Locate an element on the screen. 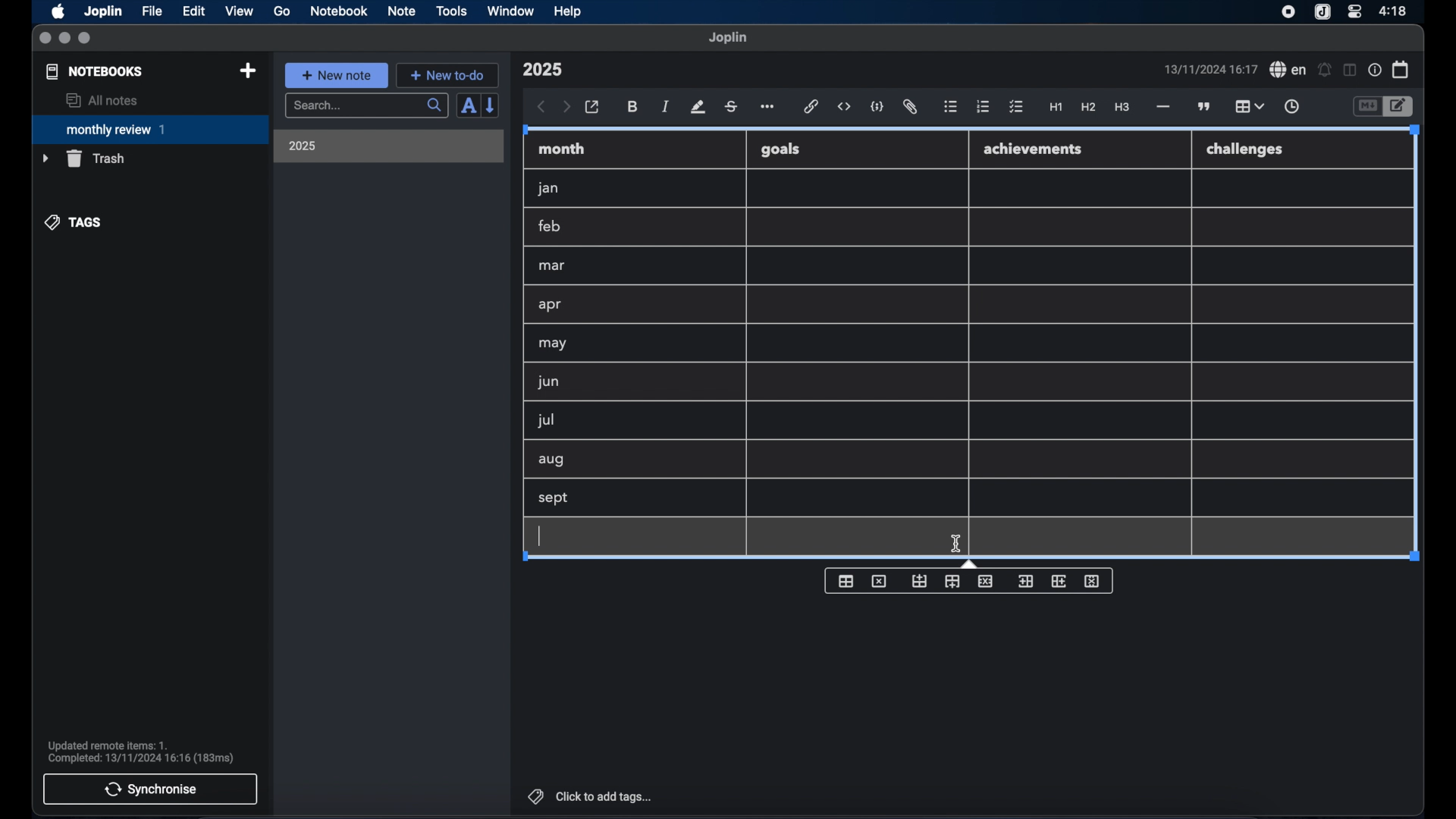 The width and height of the screenshot is (1456, 819). bold is located at coordinates (634, 107).